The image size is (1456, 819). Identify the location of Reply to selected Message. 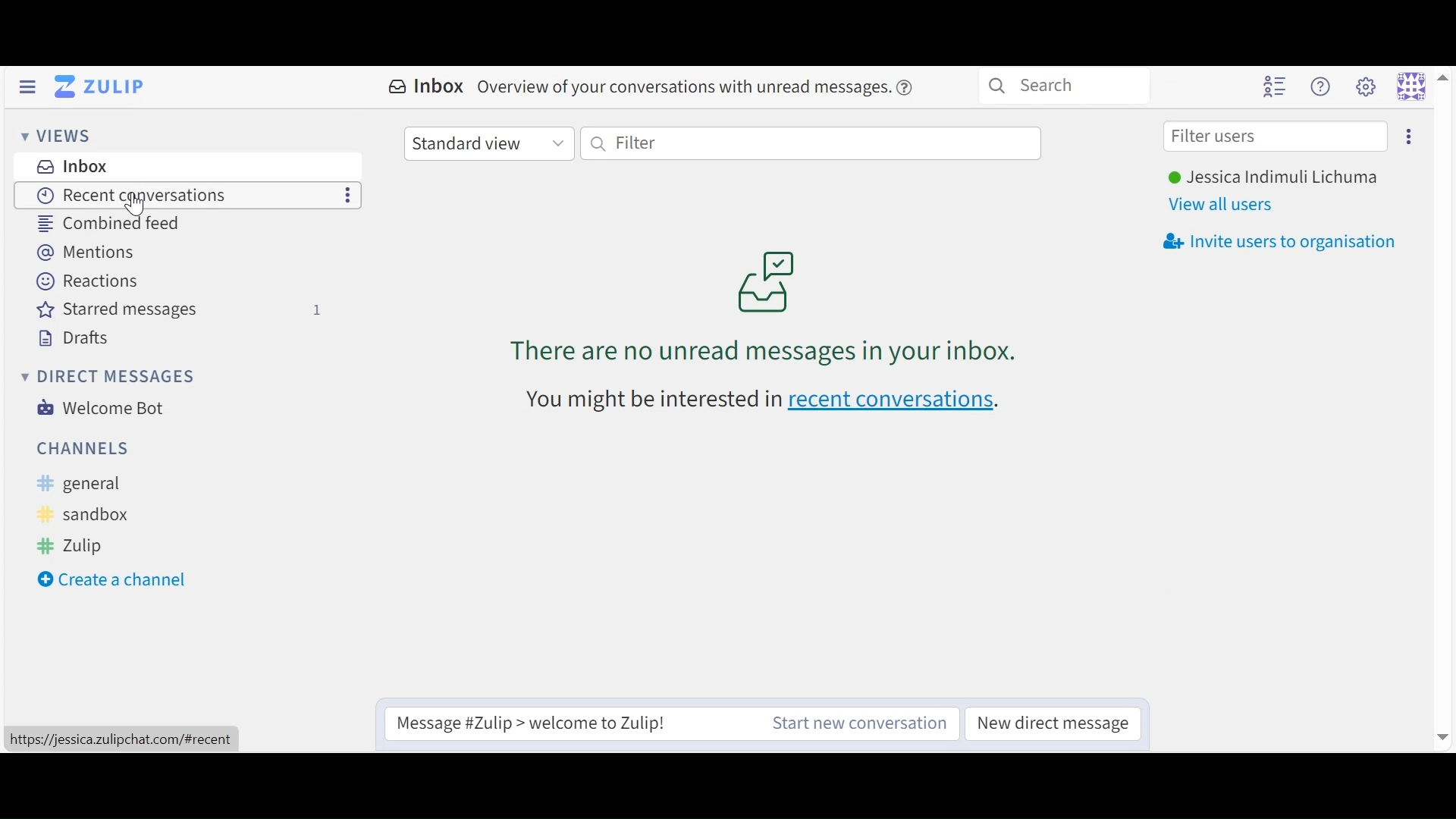
(570, 722).